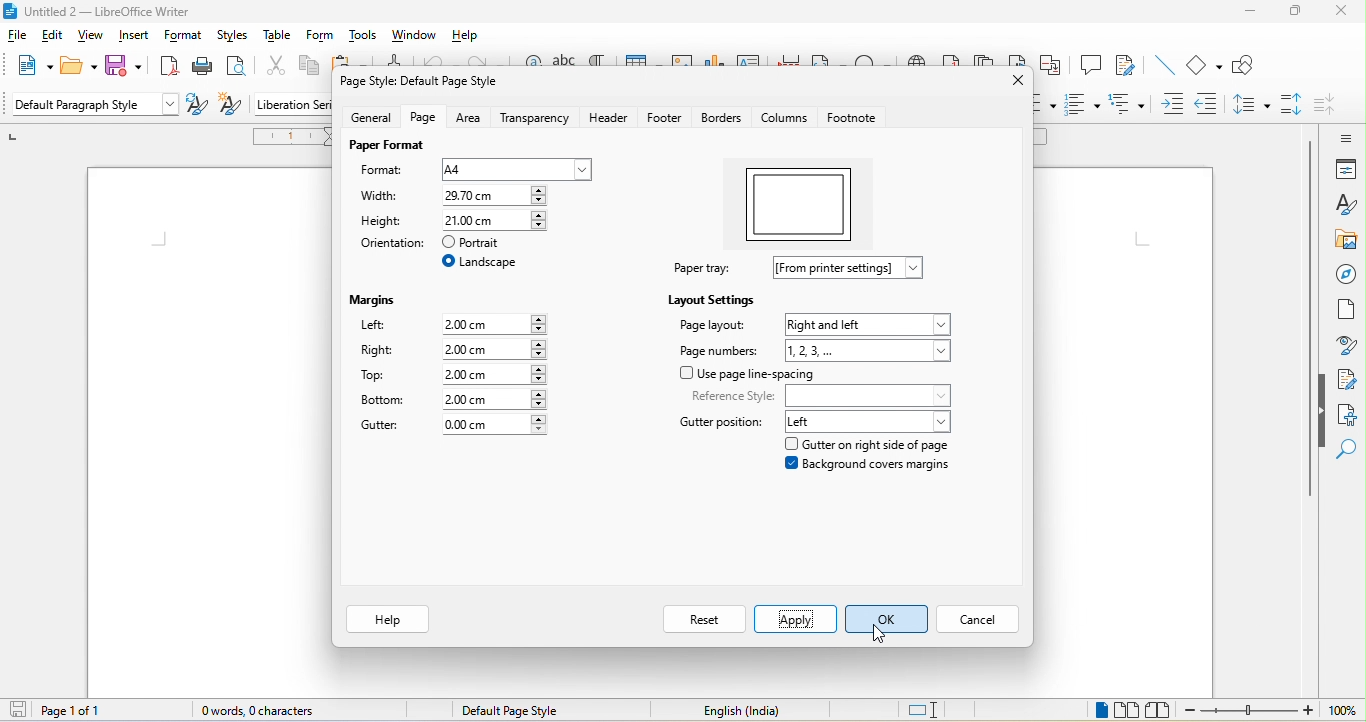 This screenshot has height=722, width=1366. I want to click on new style form selection, so click(228, 106).